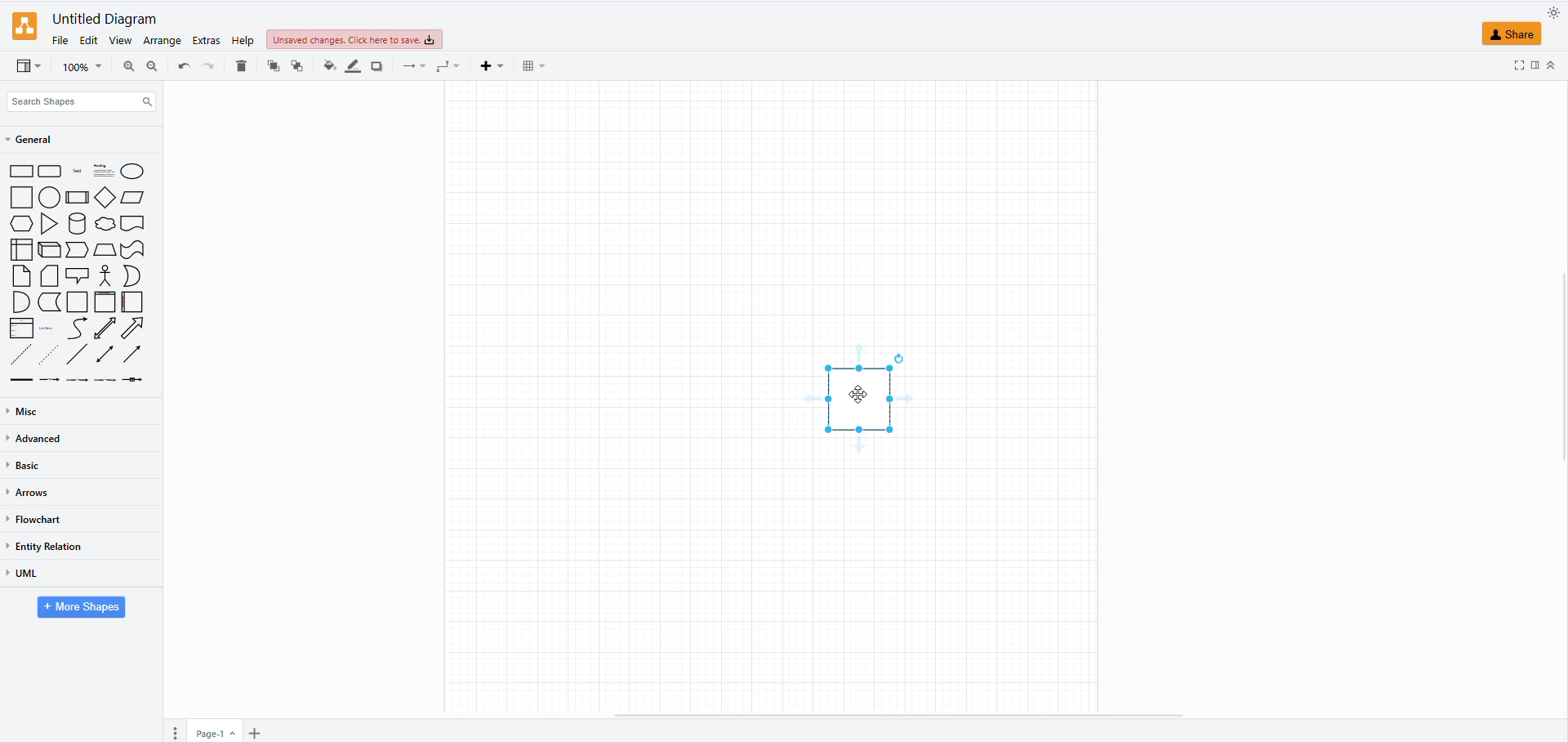  Describe the element at coordinates (78, 275) in the screenshot. I see `callout` at that location.